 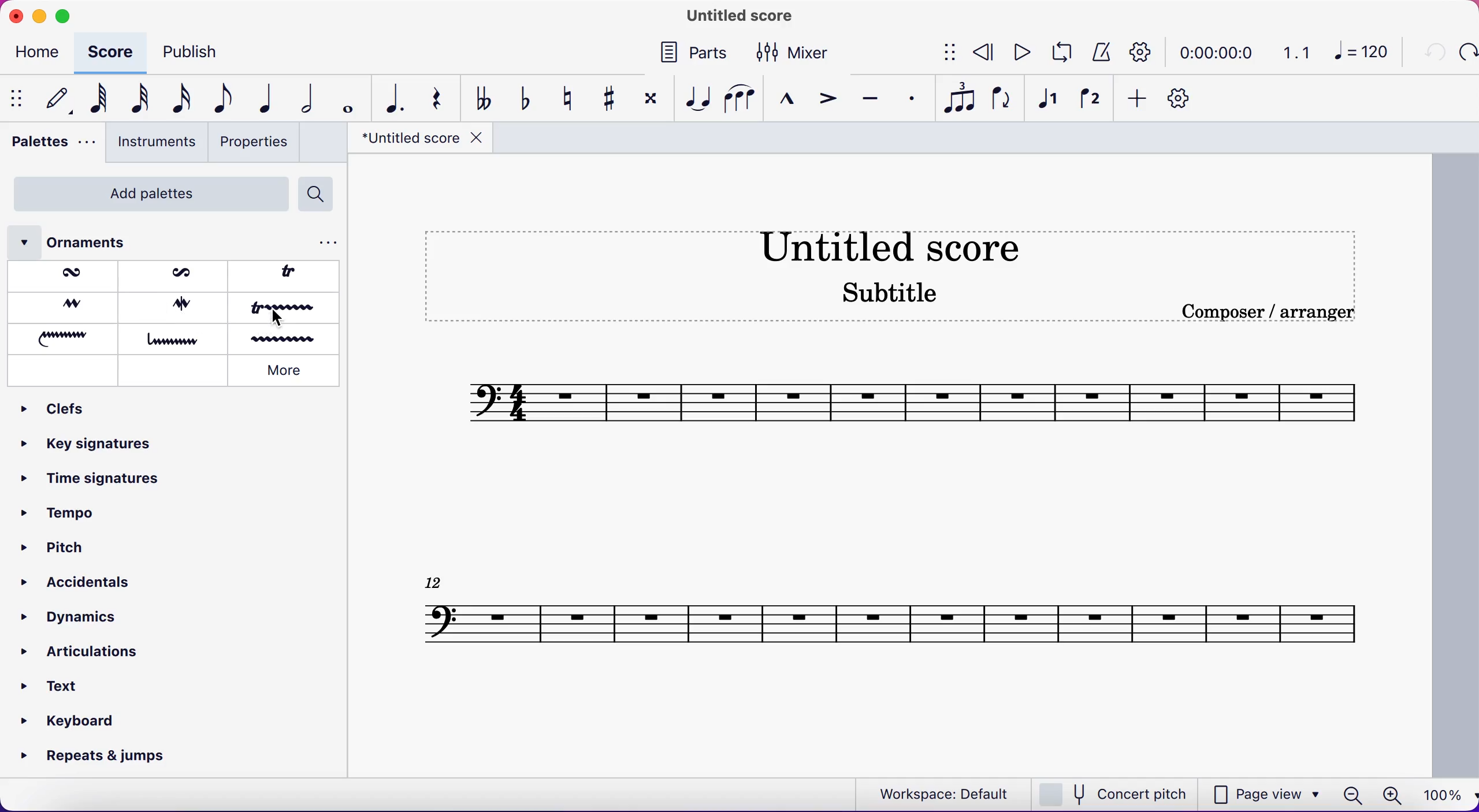 What do you see at coordinates (72, 720) in the screenshot?
I see `keyboard` at bounding box center [72, 720].